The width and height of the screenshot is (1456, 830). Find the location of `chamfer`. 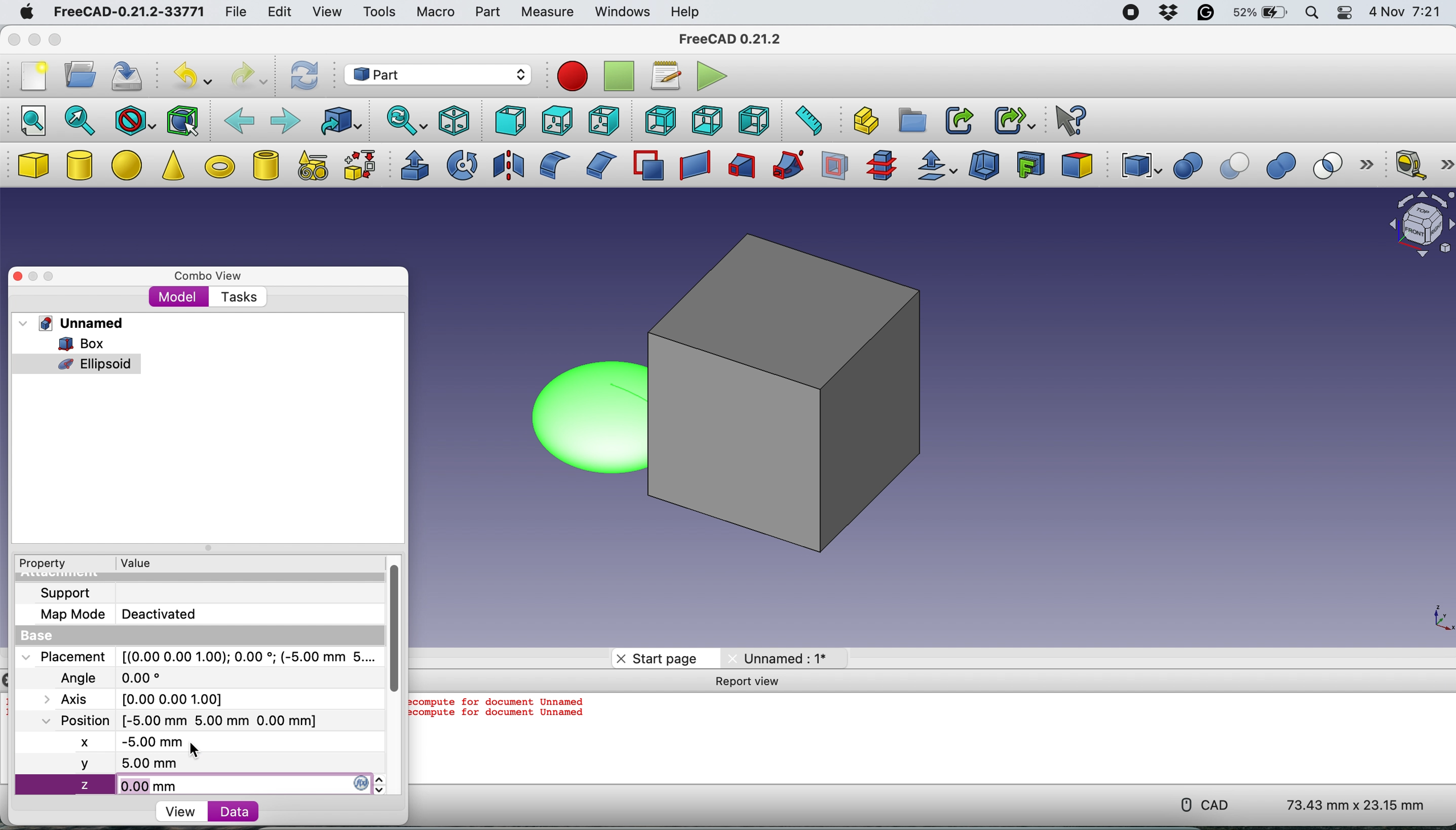

chamfer is located at coordinates (599, 164).